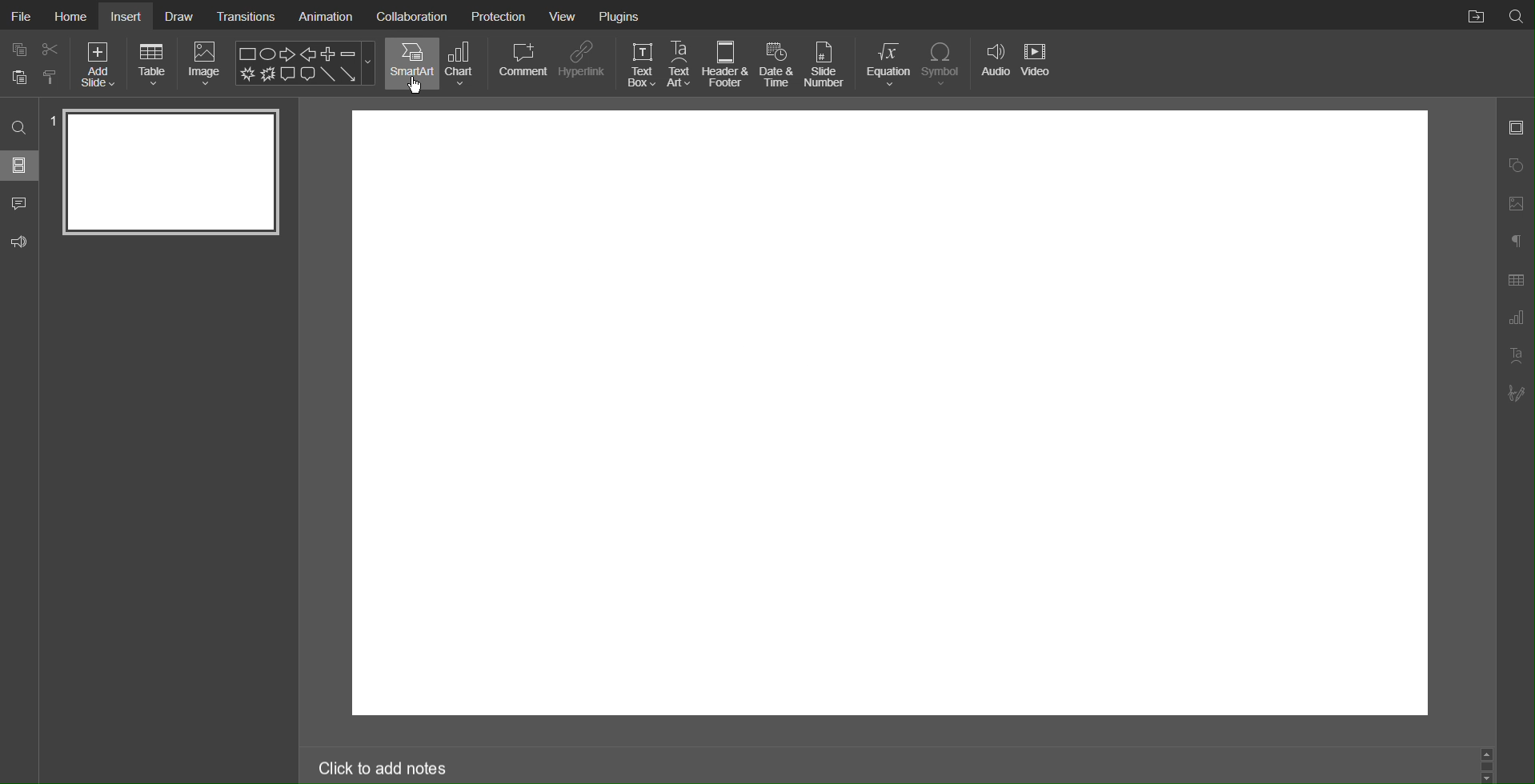  I want to click on Comment , so click(522, 65).